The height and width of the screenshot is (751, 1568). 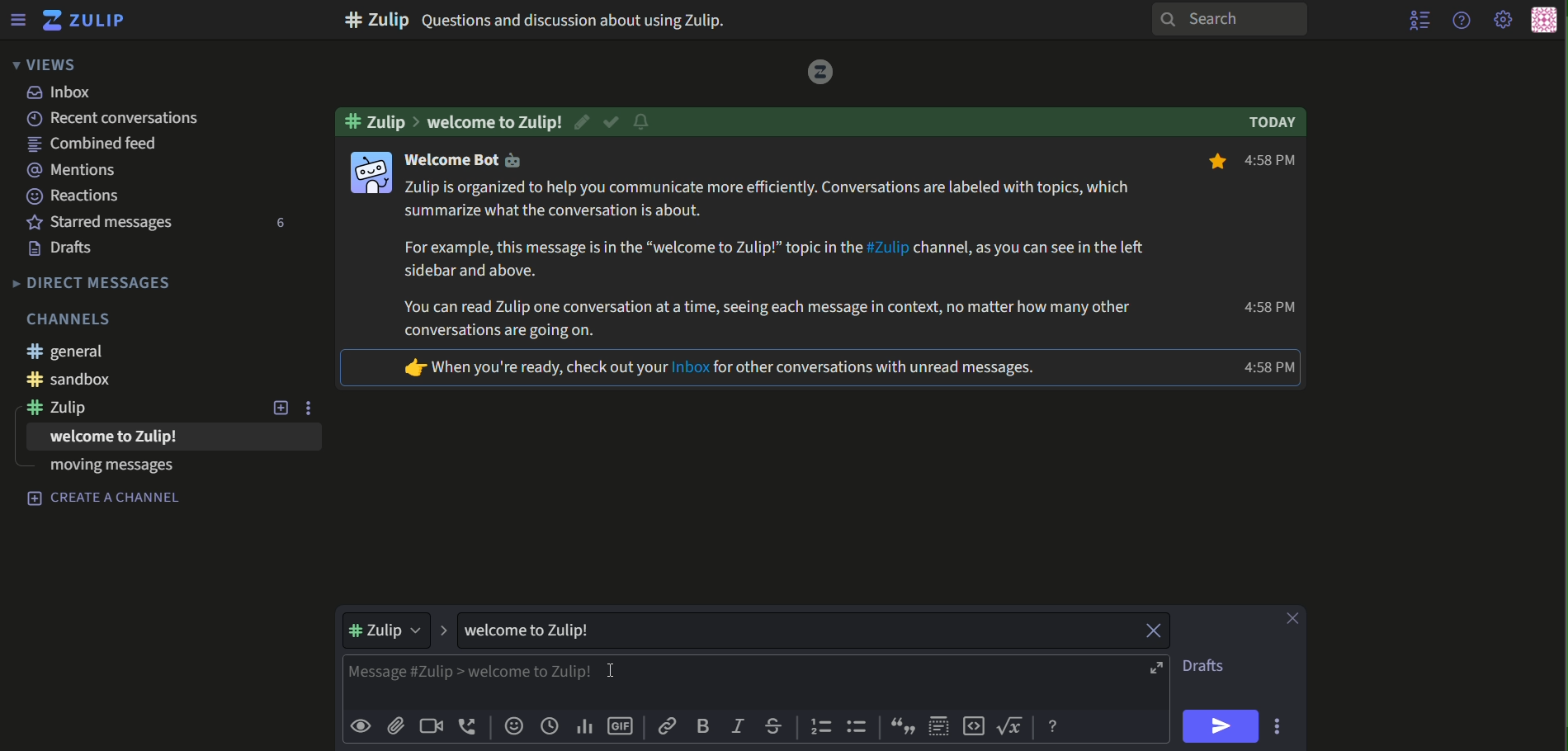 What do you see at coordinates (389, 631) in the screenshot?
I see `dropdown` at bounding box center [389, 631].